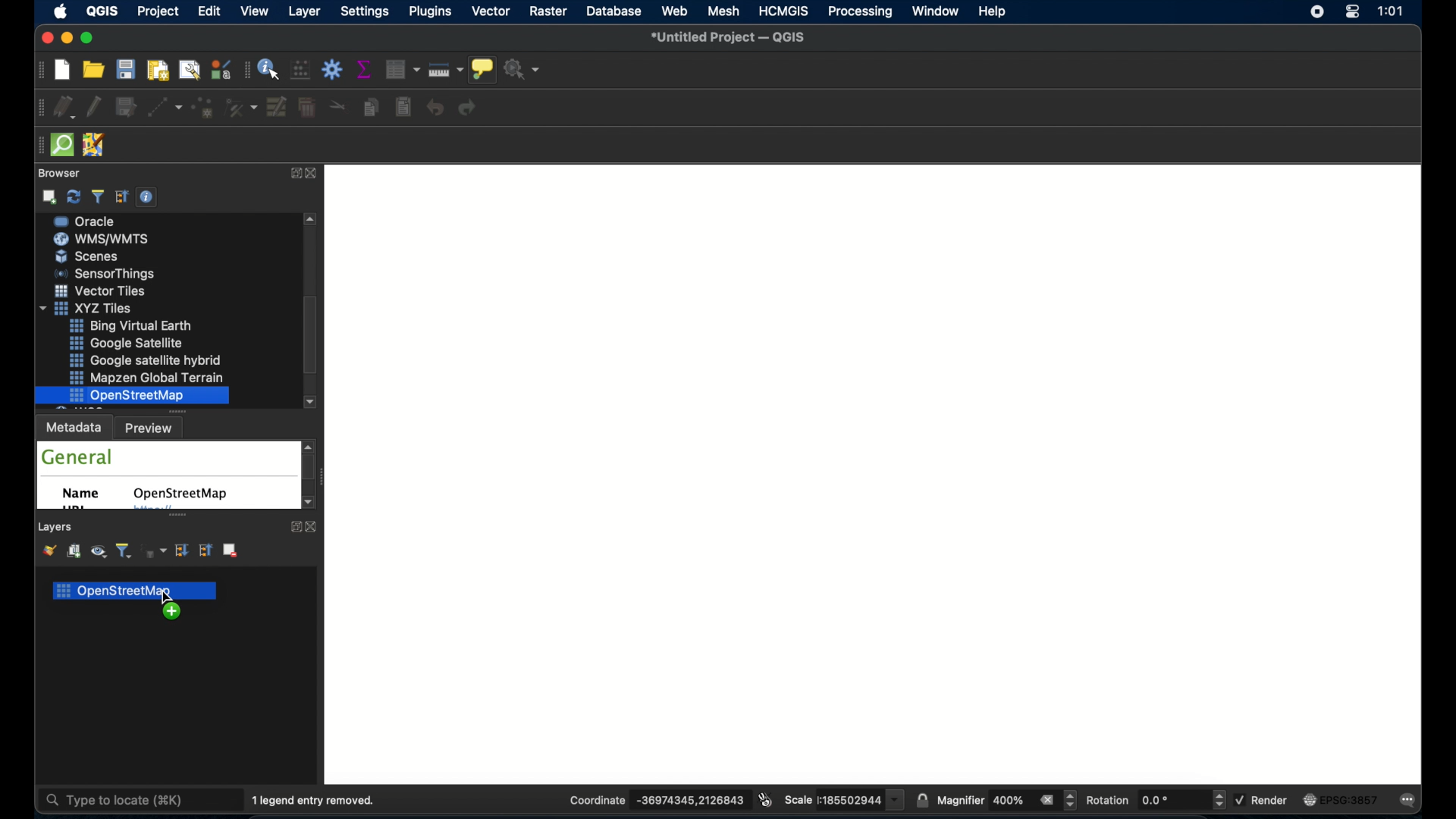  Describe the element at coordinates (1352, 13) in the screenshot. I see `control center` at that location.